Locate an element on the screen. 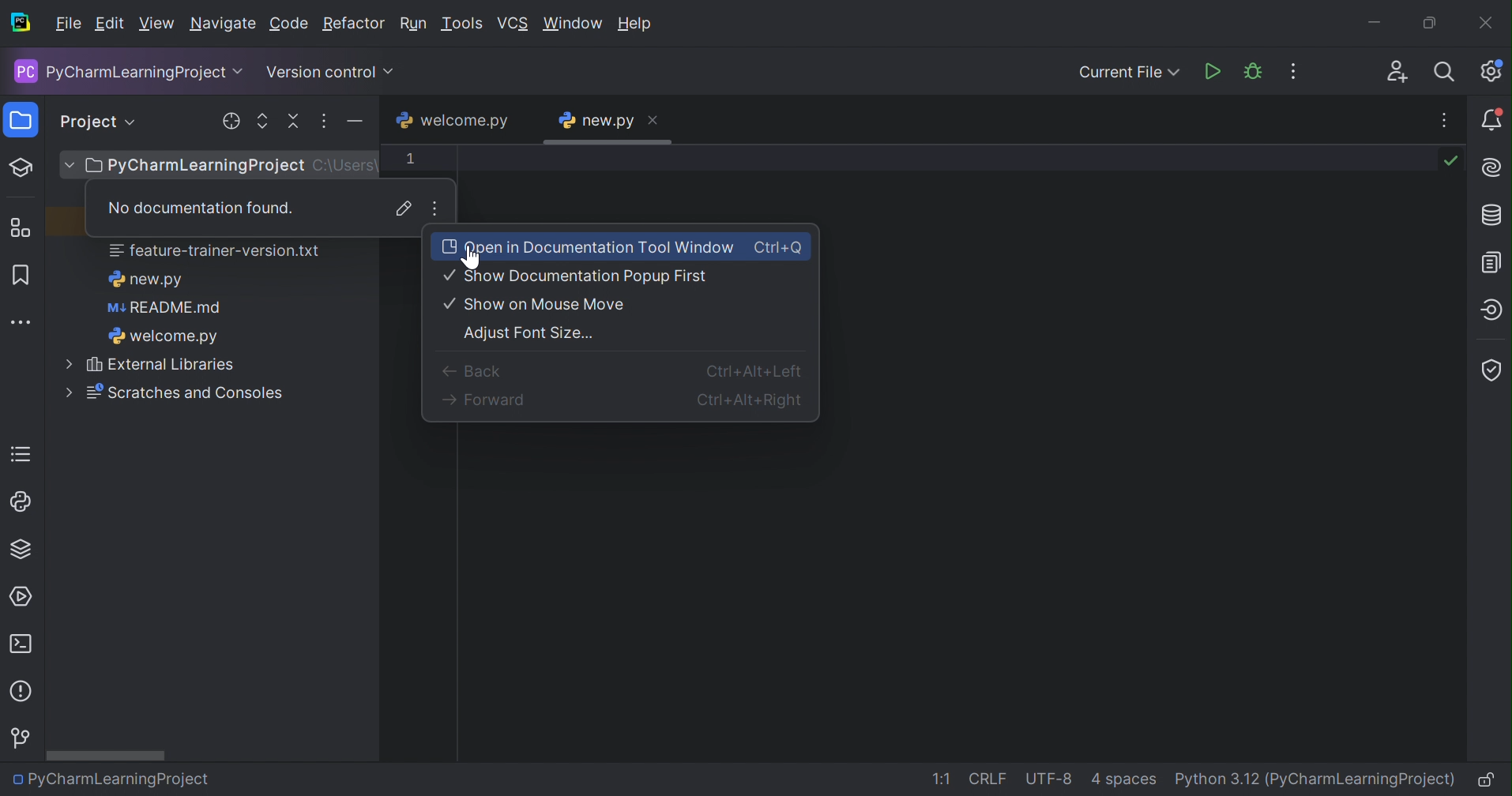  Coverage is located at coordinates (1491, 370).